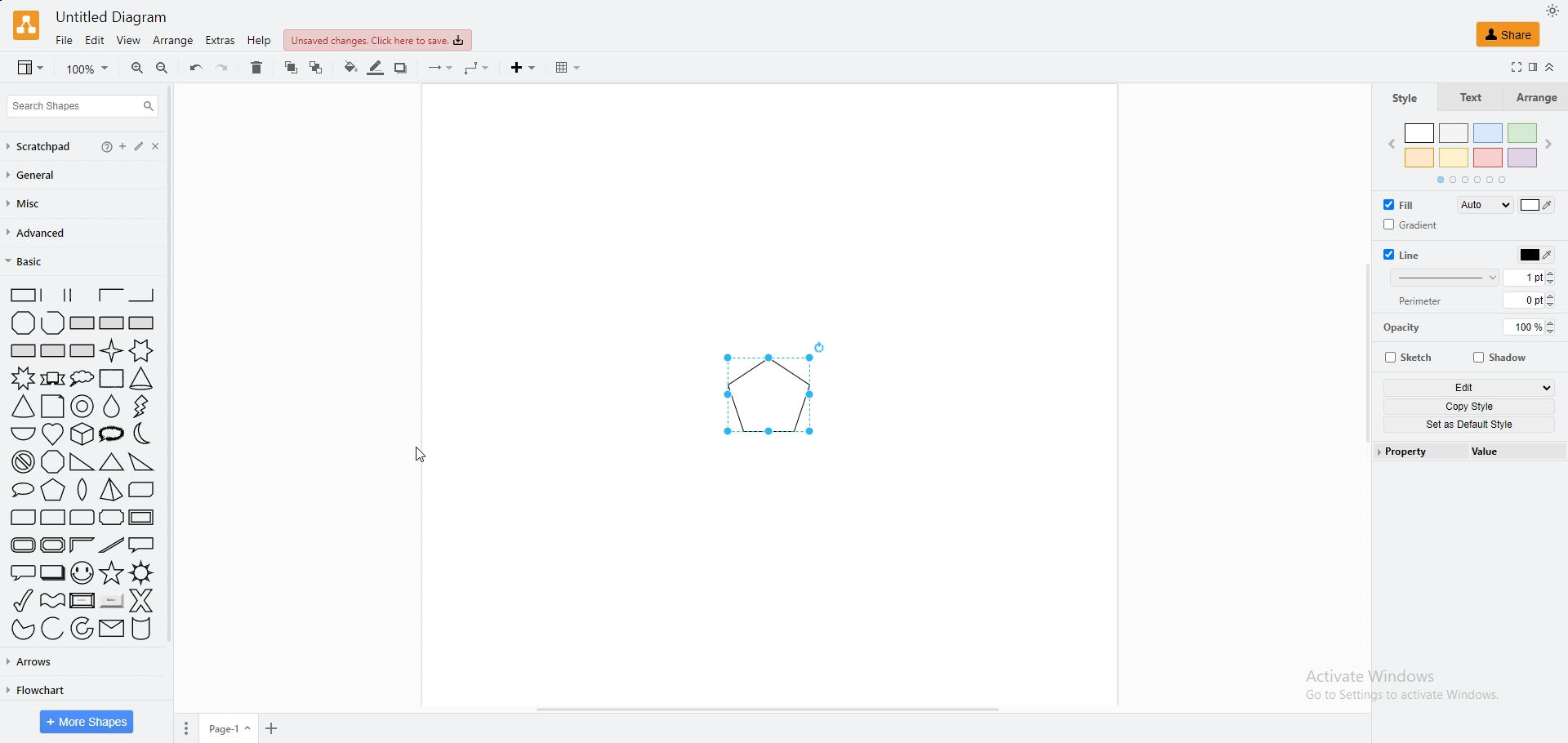 The image size is (1568, 743). Describe the element at coordinates (1503, 356) in the screenshot. I see `shadow` at that location.